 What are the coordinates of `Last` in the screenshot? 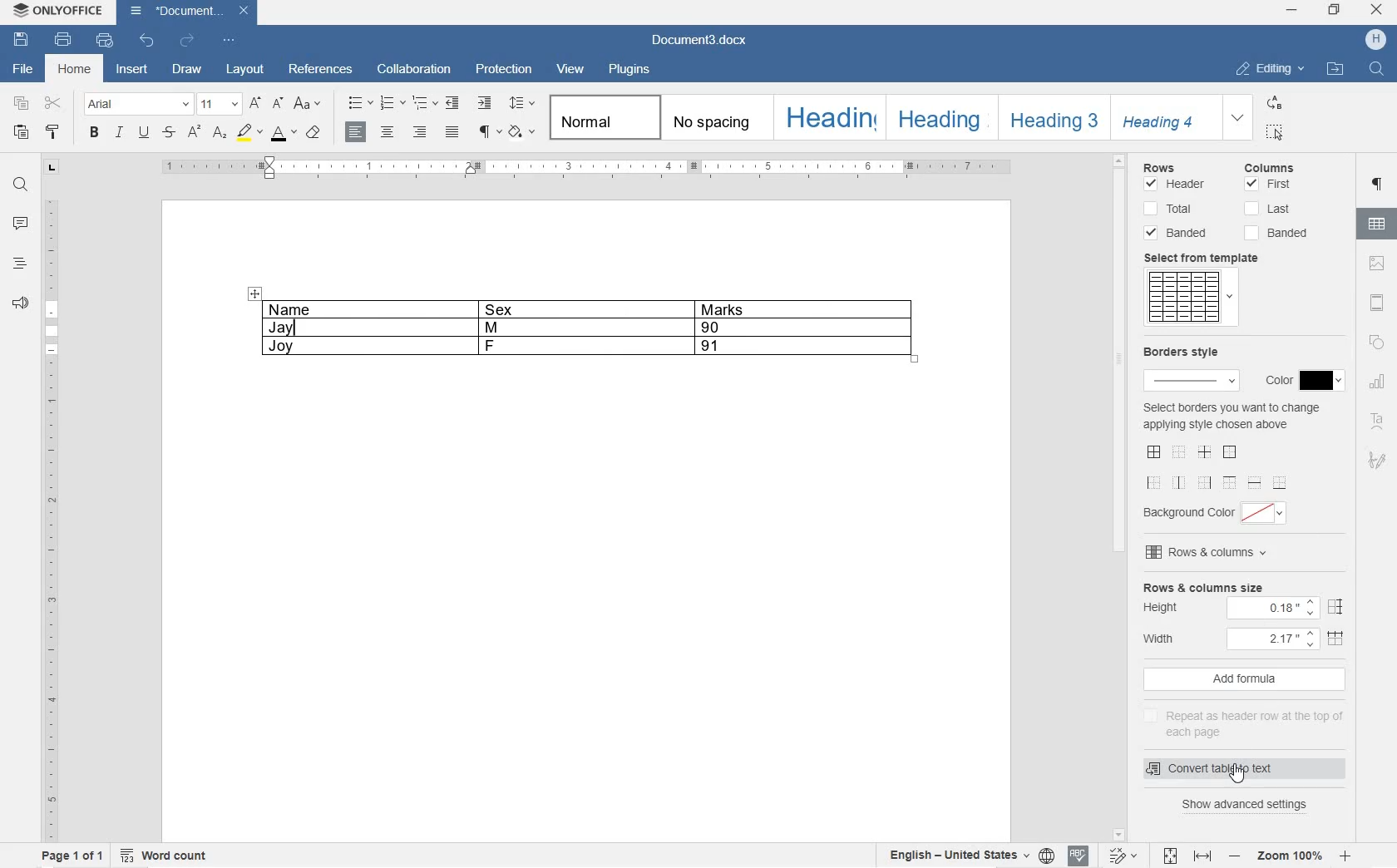 It's located at (1268, 209).